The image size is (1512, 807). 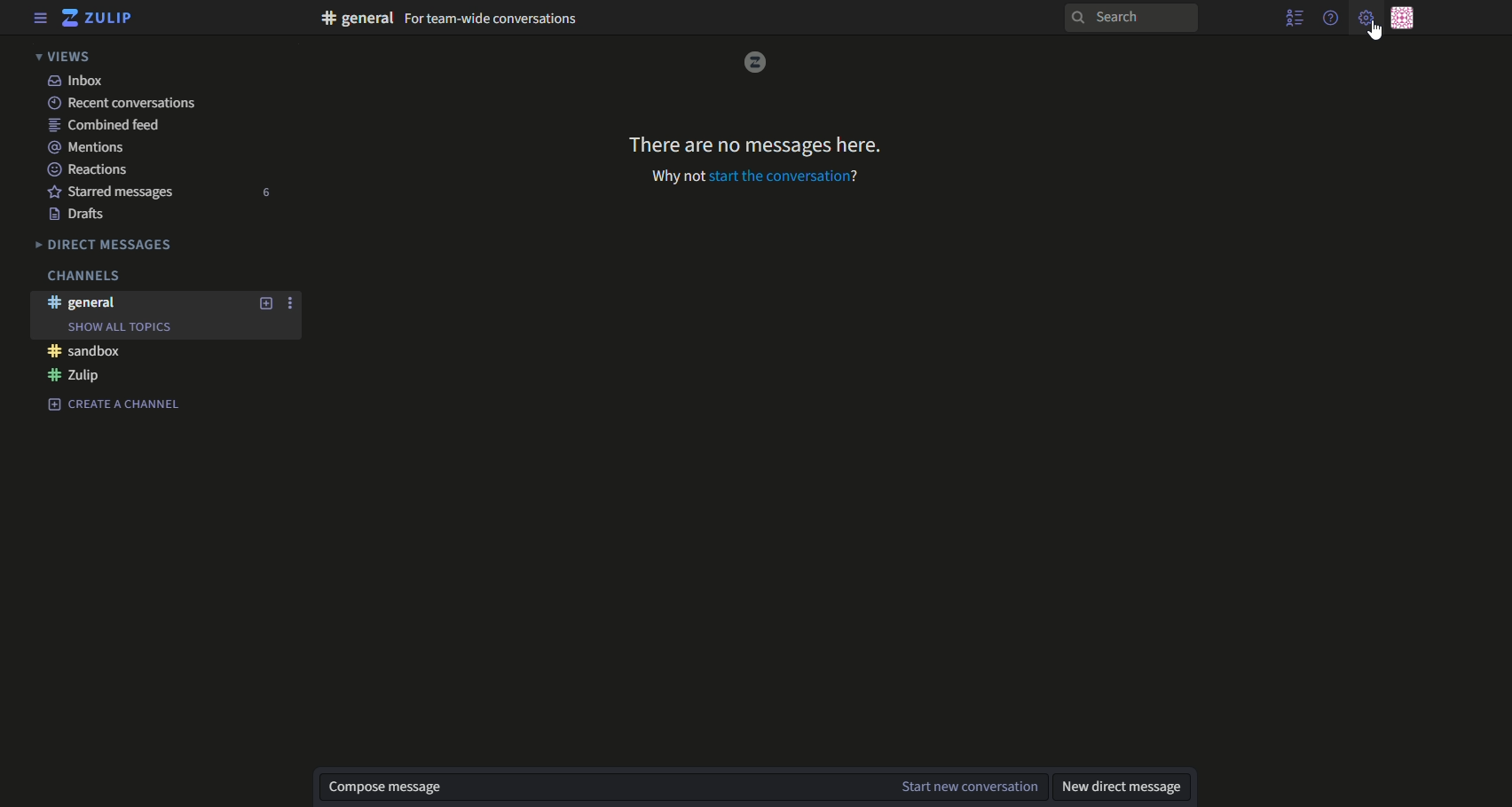 What do you see at coordinates (92, 147) in the screenshot?
I see `mentions` at bounding box center [92, 147].